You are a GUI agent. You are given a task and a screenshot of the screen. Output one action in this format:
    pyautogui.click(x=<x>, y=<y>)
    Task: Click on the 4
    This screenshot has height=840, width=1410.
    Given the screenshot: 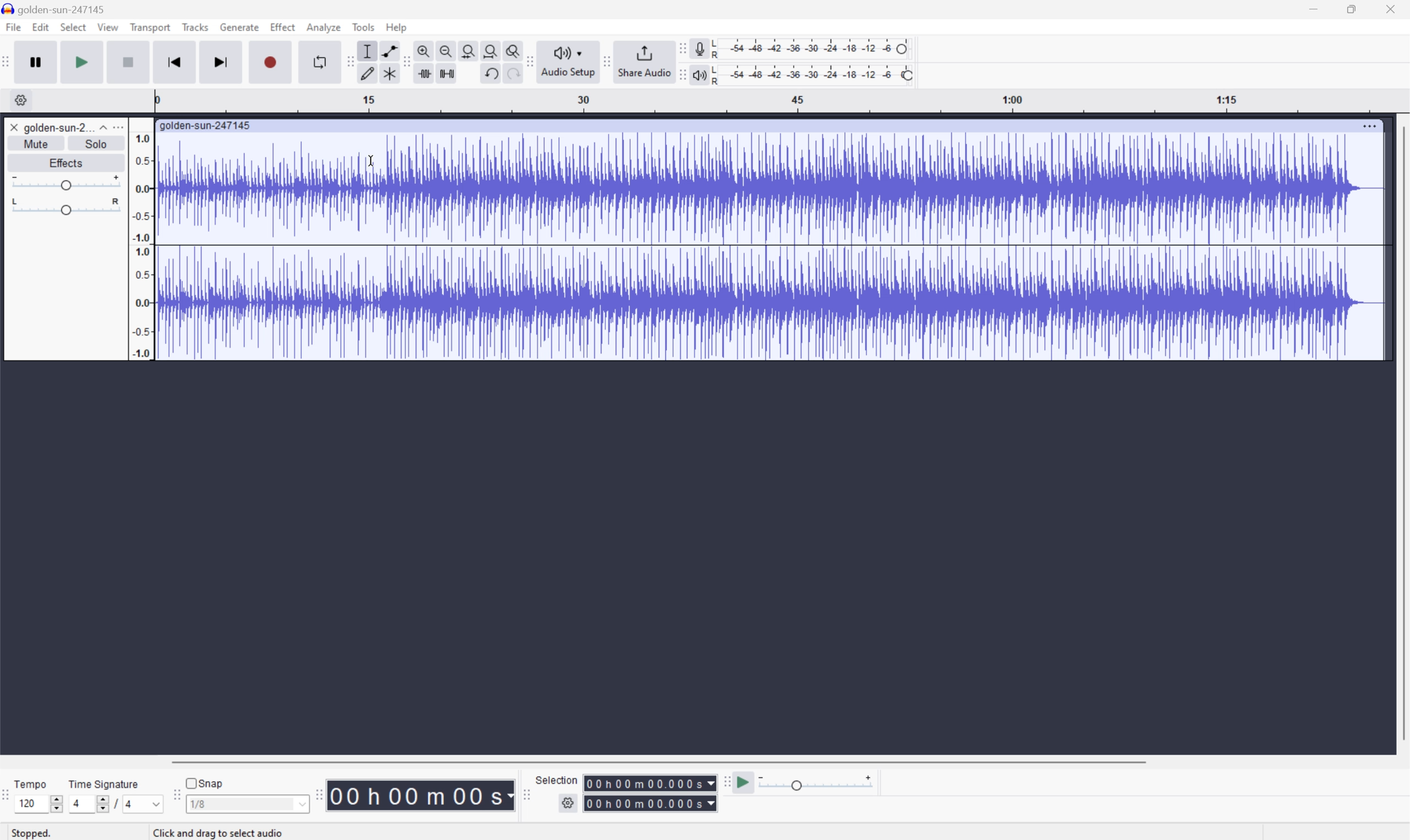 What is the action you would take?
    pyautogui.click(x=75, y=804)
    